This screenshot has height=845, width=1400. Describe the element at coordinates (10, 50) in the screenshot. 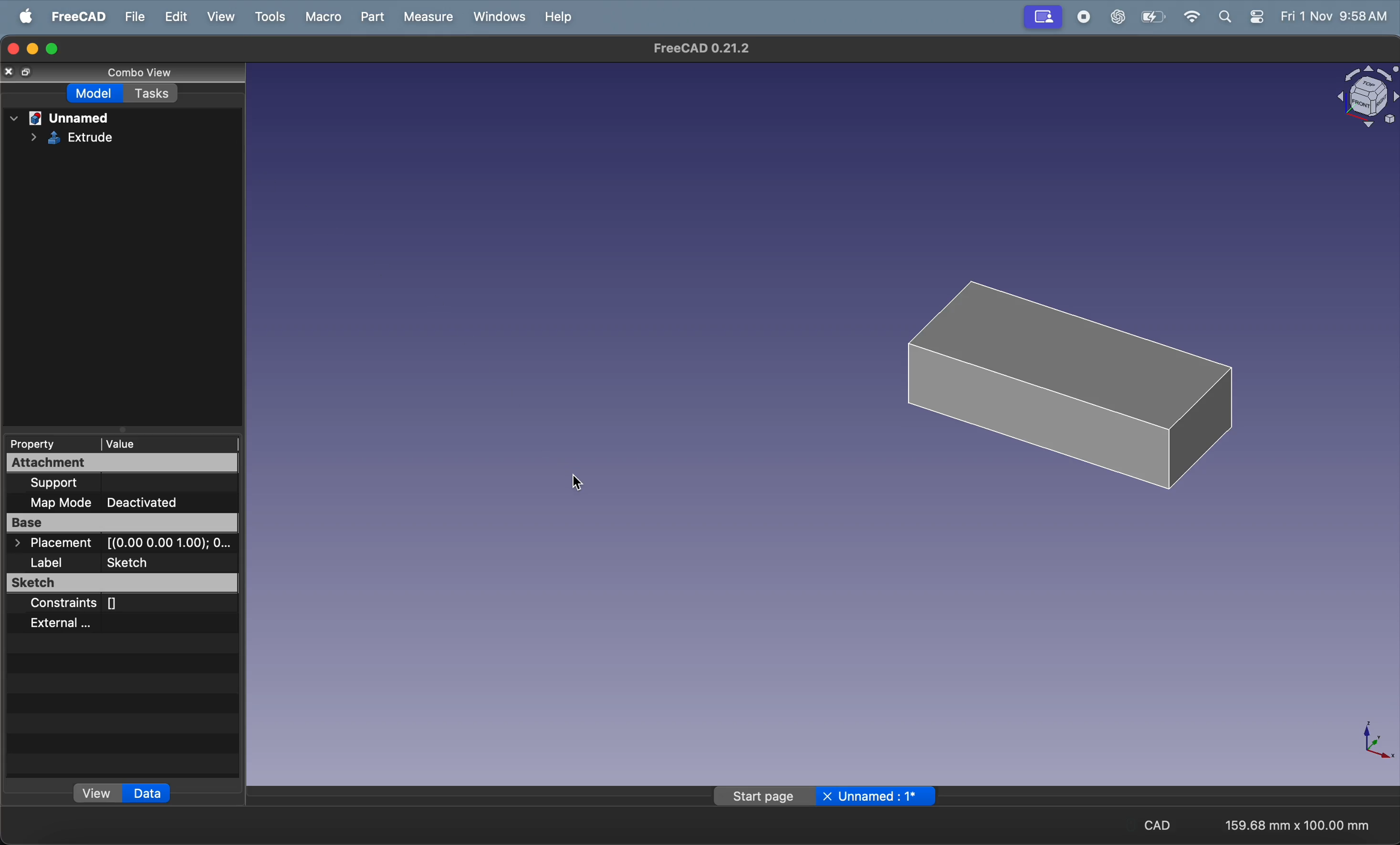

I see `closing window` at that location.